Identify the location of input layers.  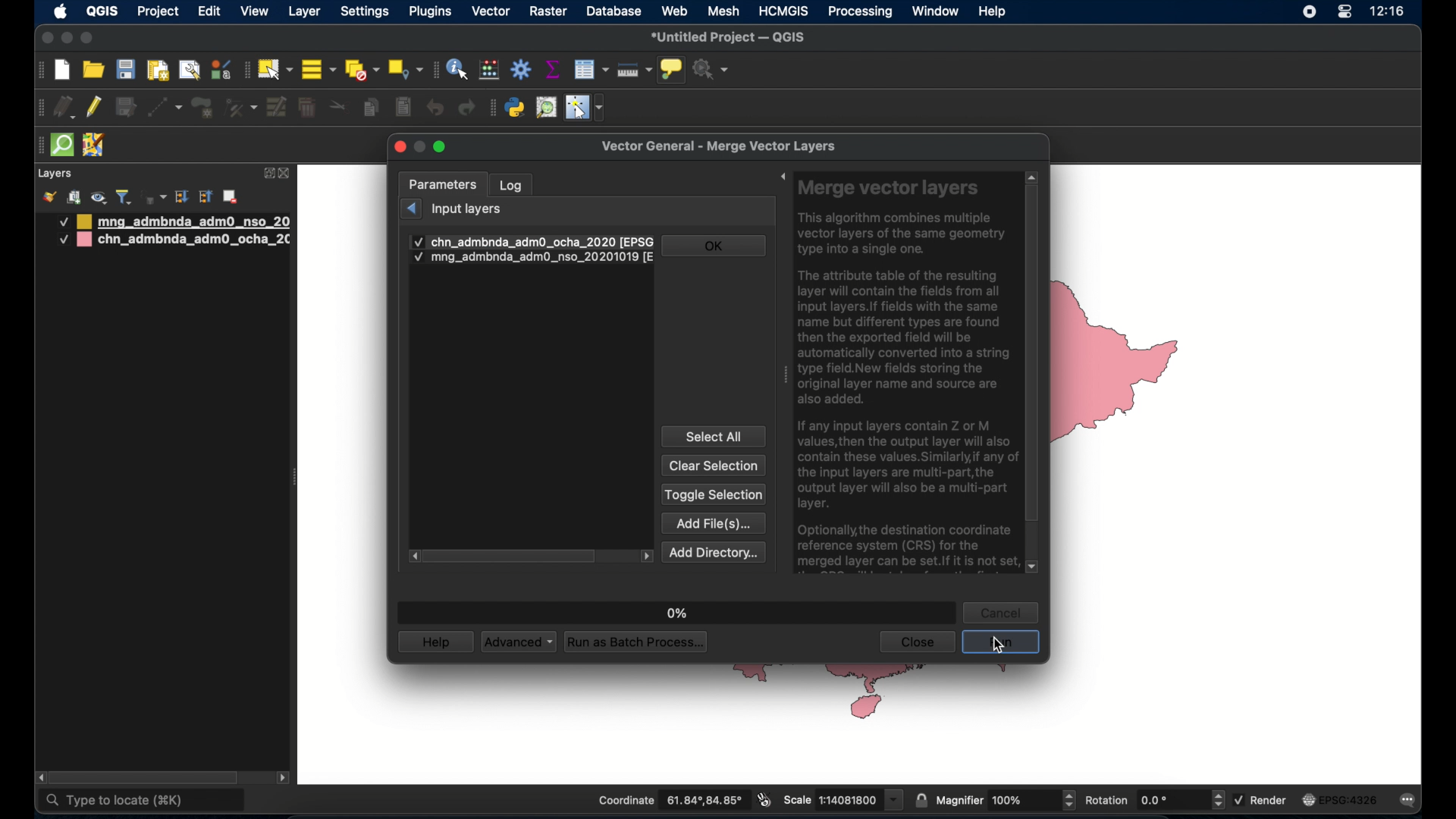
(469, 210).